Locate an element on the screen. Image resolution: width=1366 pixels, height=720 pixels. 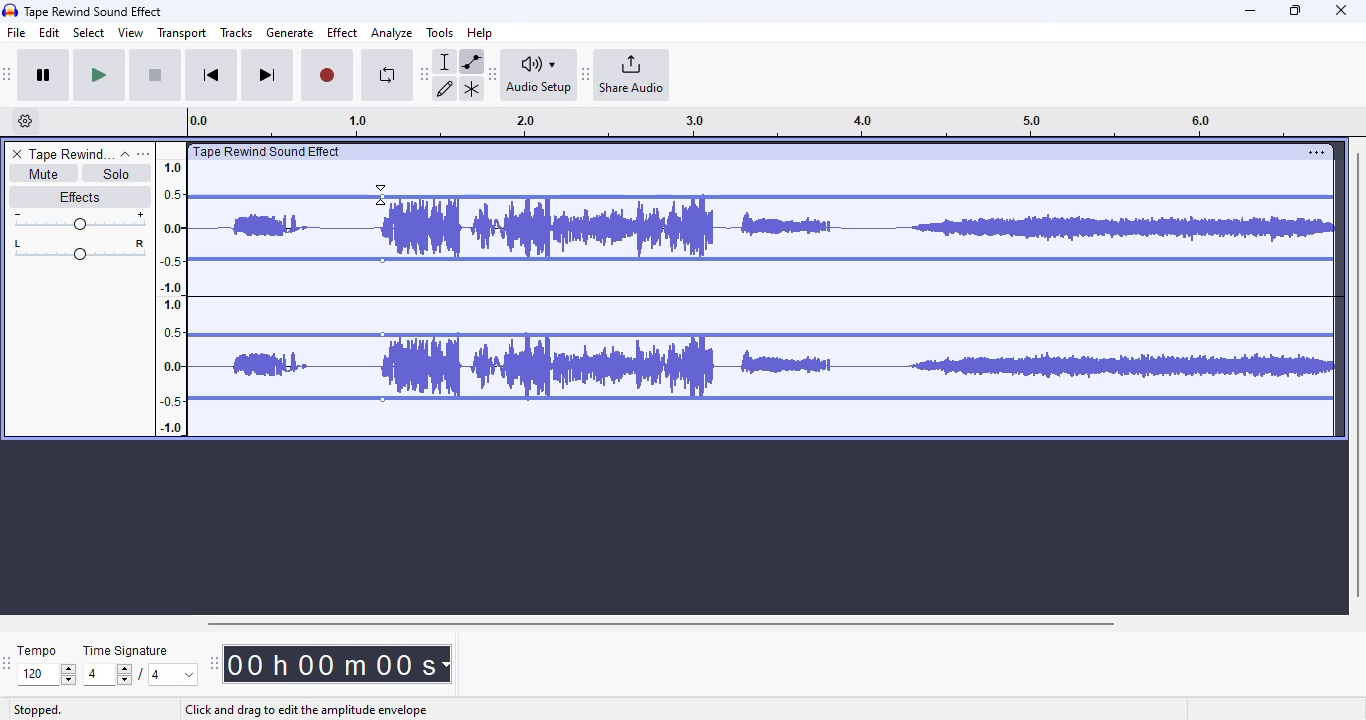
track name is located at coordinates (71, 155).